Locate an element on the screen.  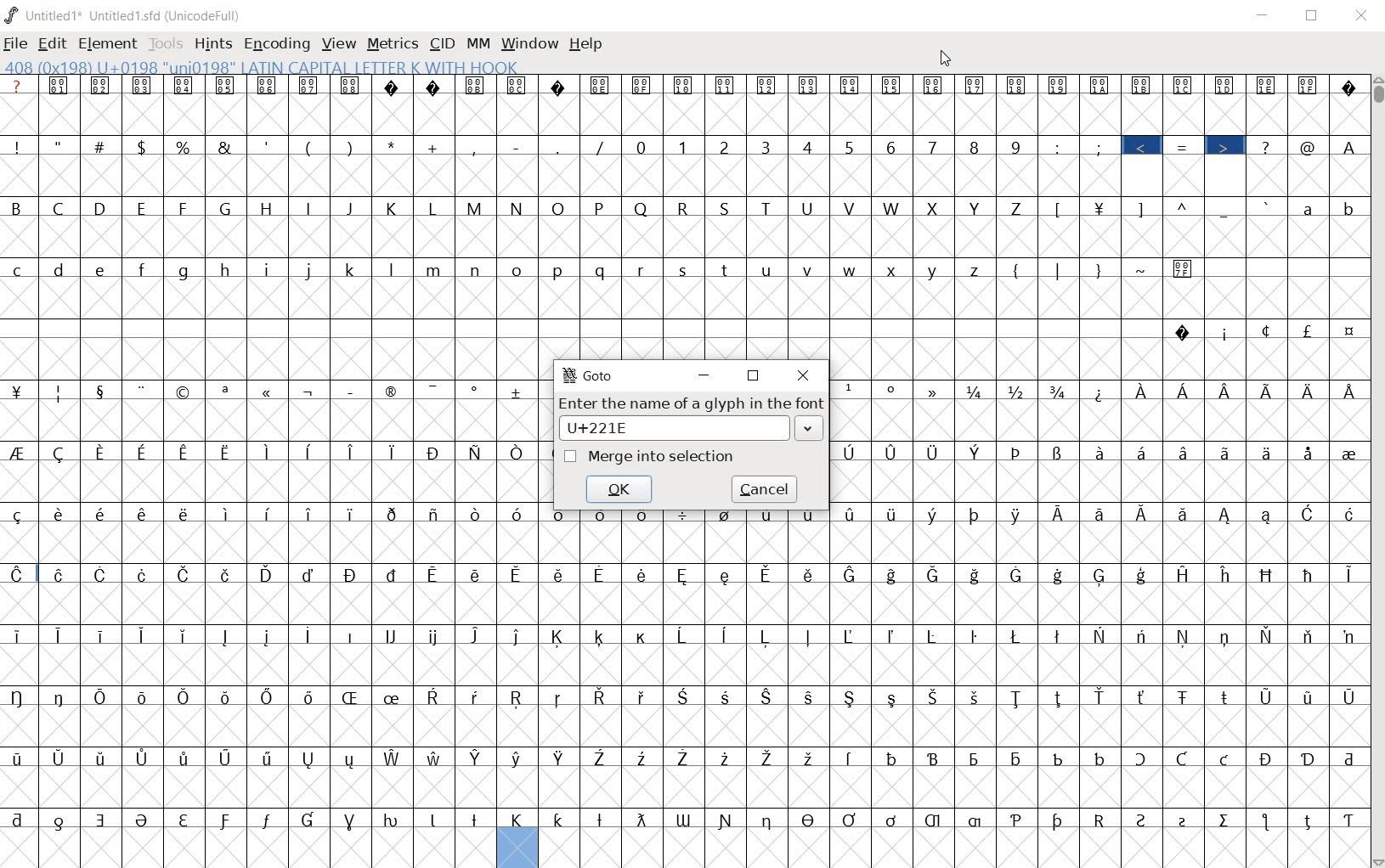
element is located at coordinates (109, 43).